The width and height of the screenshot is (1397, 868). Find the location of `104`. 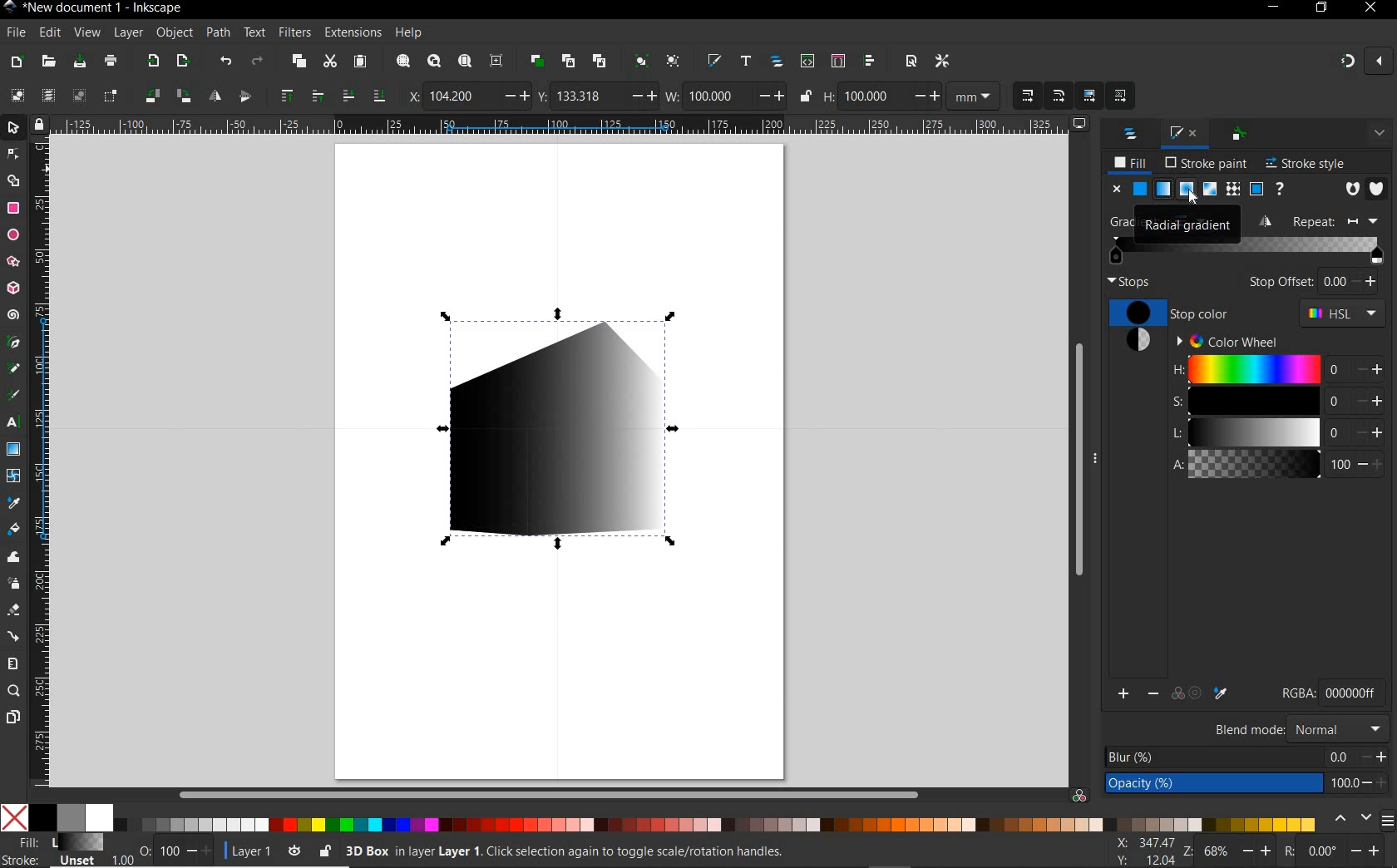

104 is located at coordinates (458, 96).